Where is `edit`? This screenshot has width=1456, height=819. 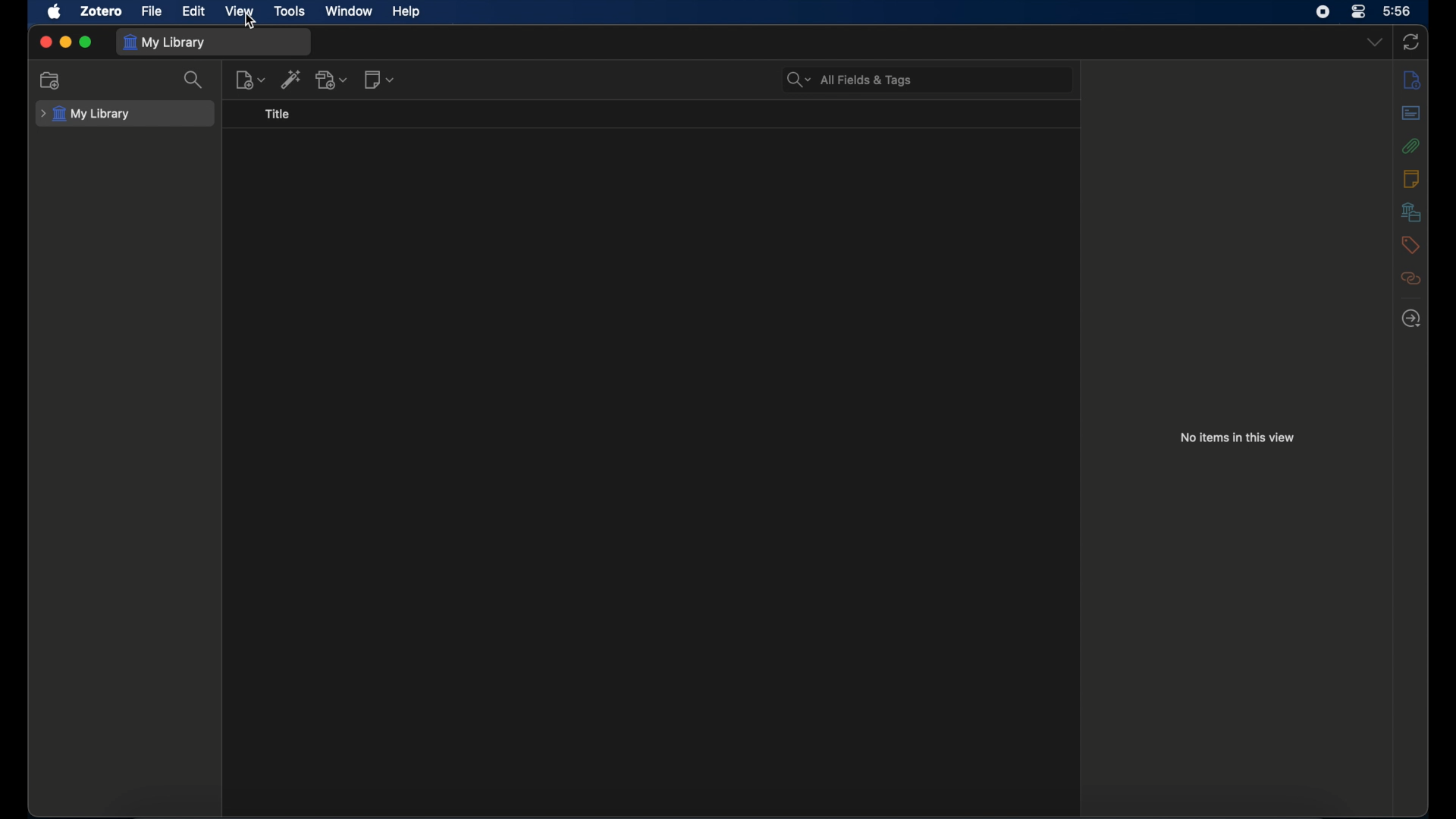 edit is located at coordinates (196, 11).